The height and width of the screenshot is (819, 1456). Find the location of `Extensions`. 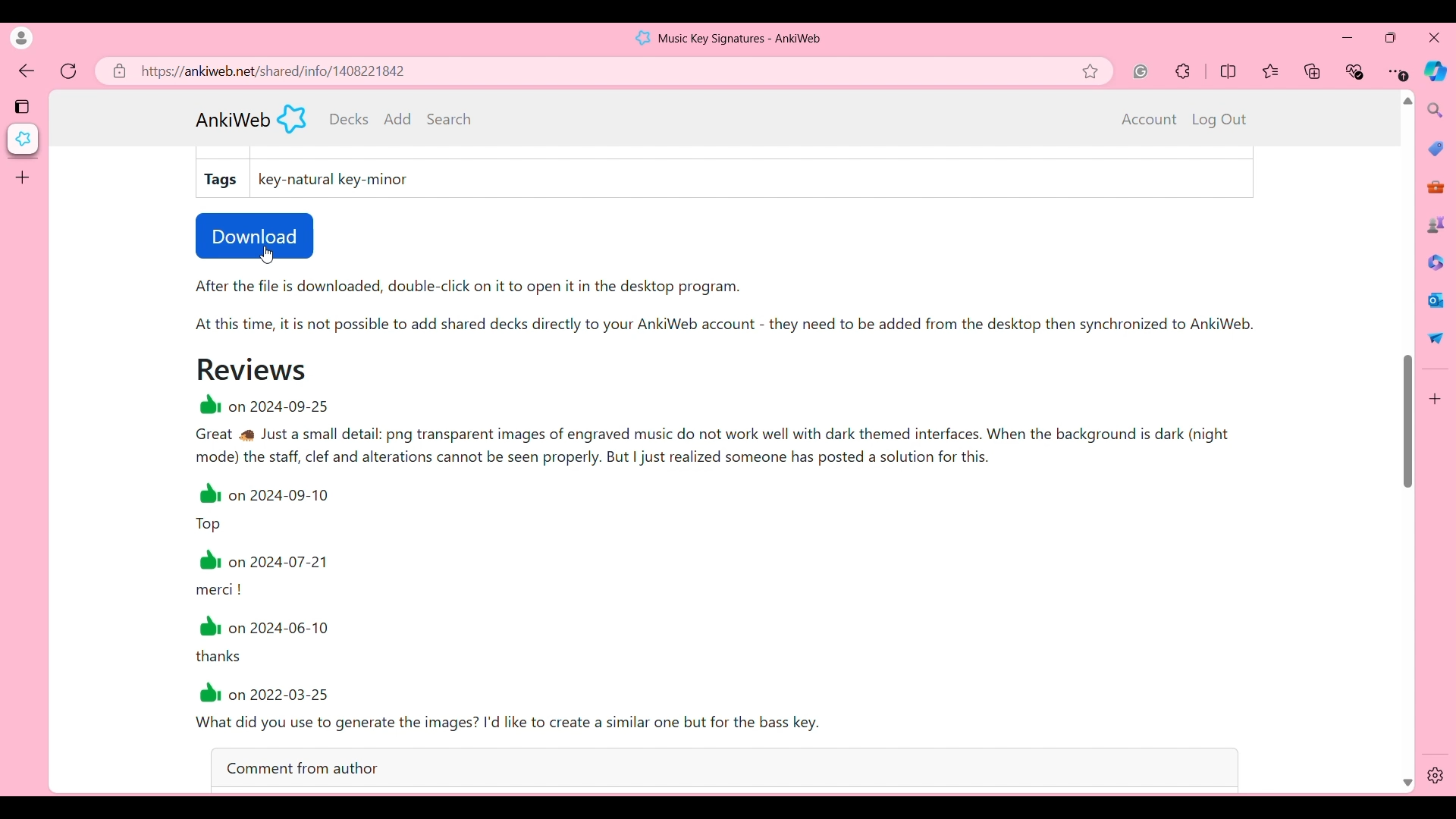

Extensions is located at coordinates (1183, 71).